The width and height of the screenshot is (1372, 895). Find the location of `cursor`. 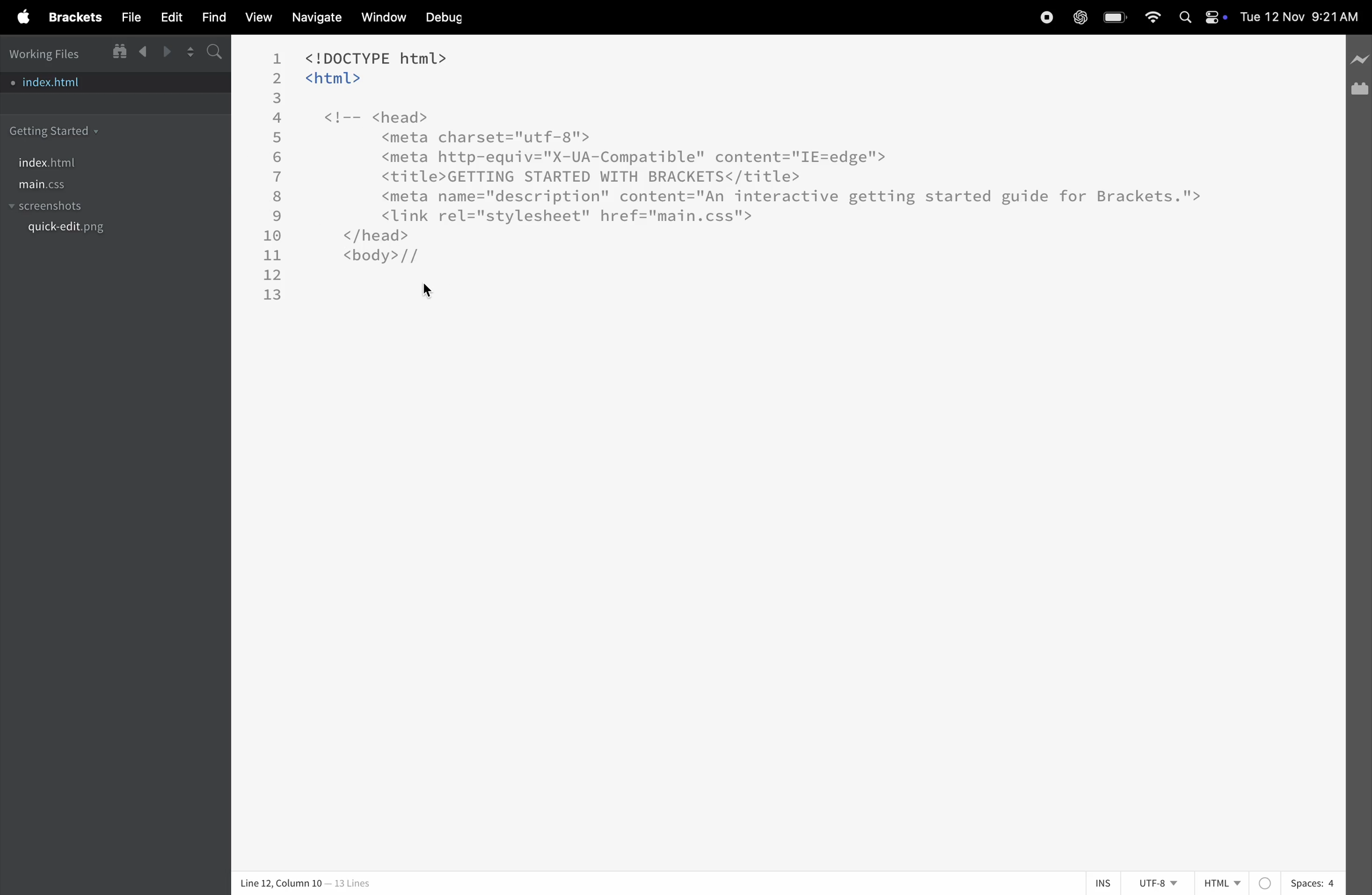

cursor is located at coordinates (430, 292).